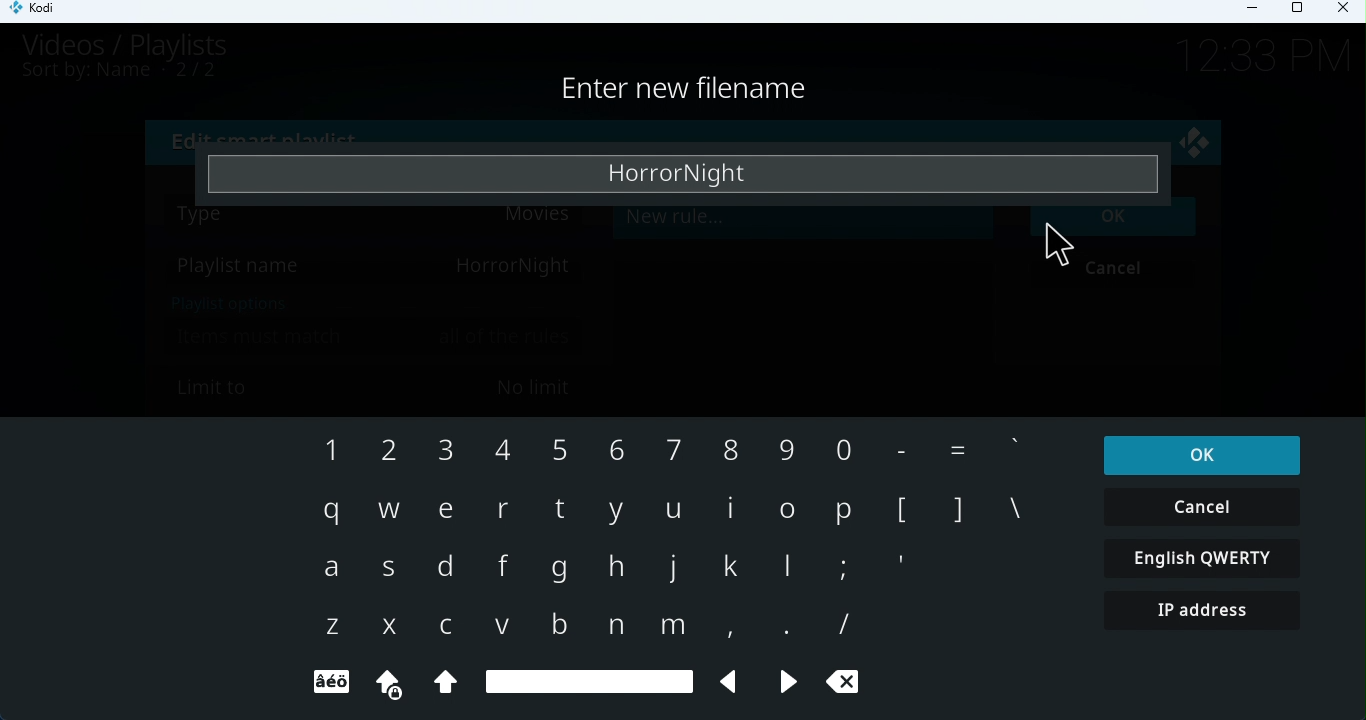 The width and height of the screenshot is (1366, 720). What do you see at coordinates (1060, 245) in the screenshot?
I see `Cursor` at bounding box center [1060, 245].